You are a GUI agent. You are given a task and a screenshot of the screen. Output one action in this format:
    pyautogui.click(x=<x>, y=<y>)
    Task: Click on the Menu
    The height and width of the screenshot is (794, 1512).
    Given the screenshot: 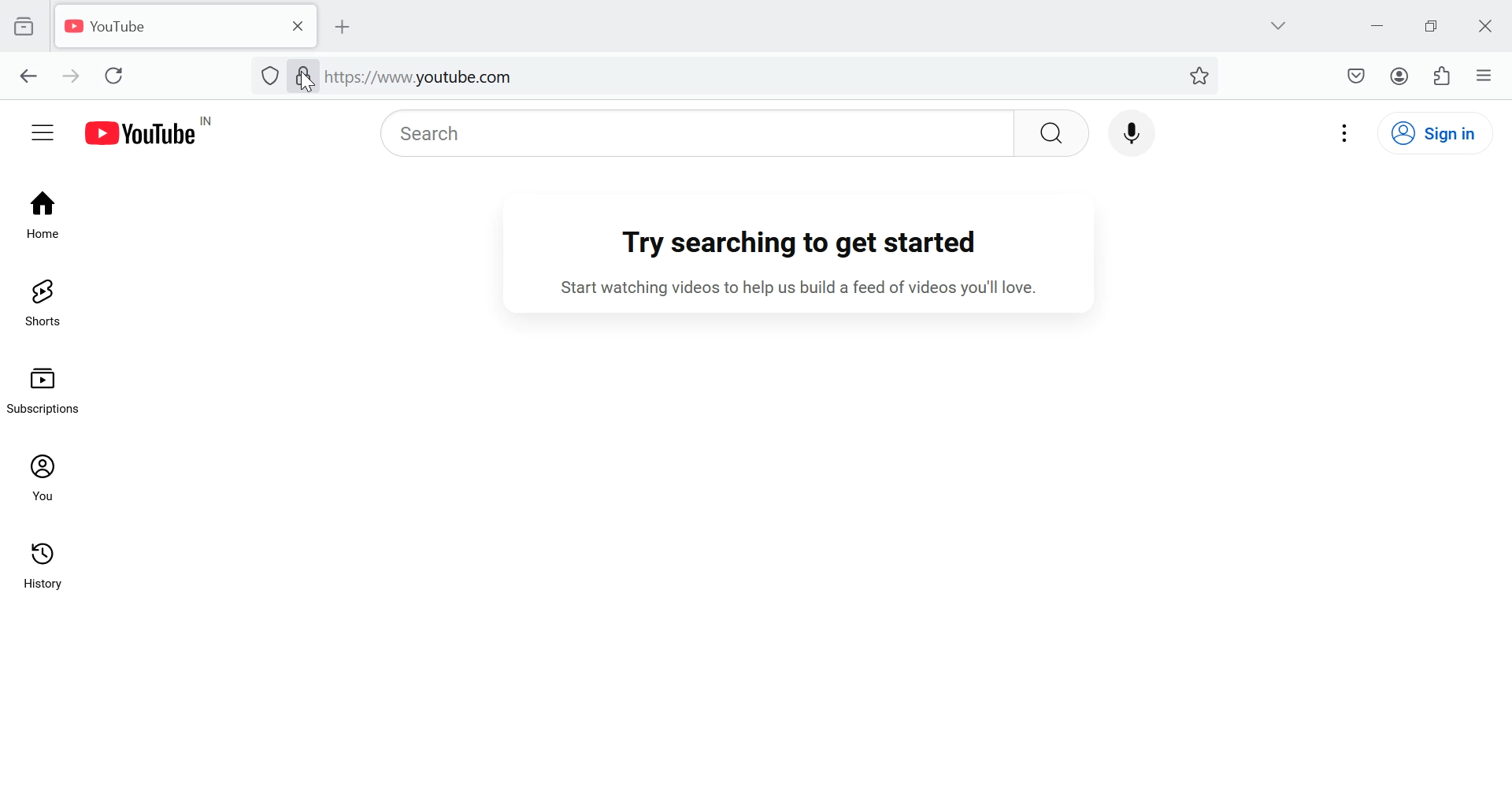 What is the action you would take?
    pyautogui.click(x=43, y=131)
    